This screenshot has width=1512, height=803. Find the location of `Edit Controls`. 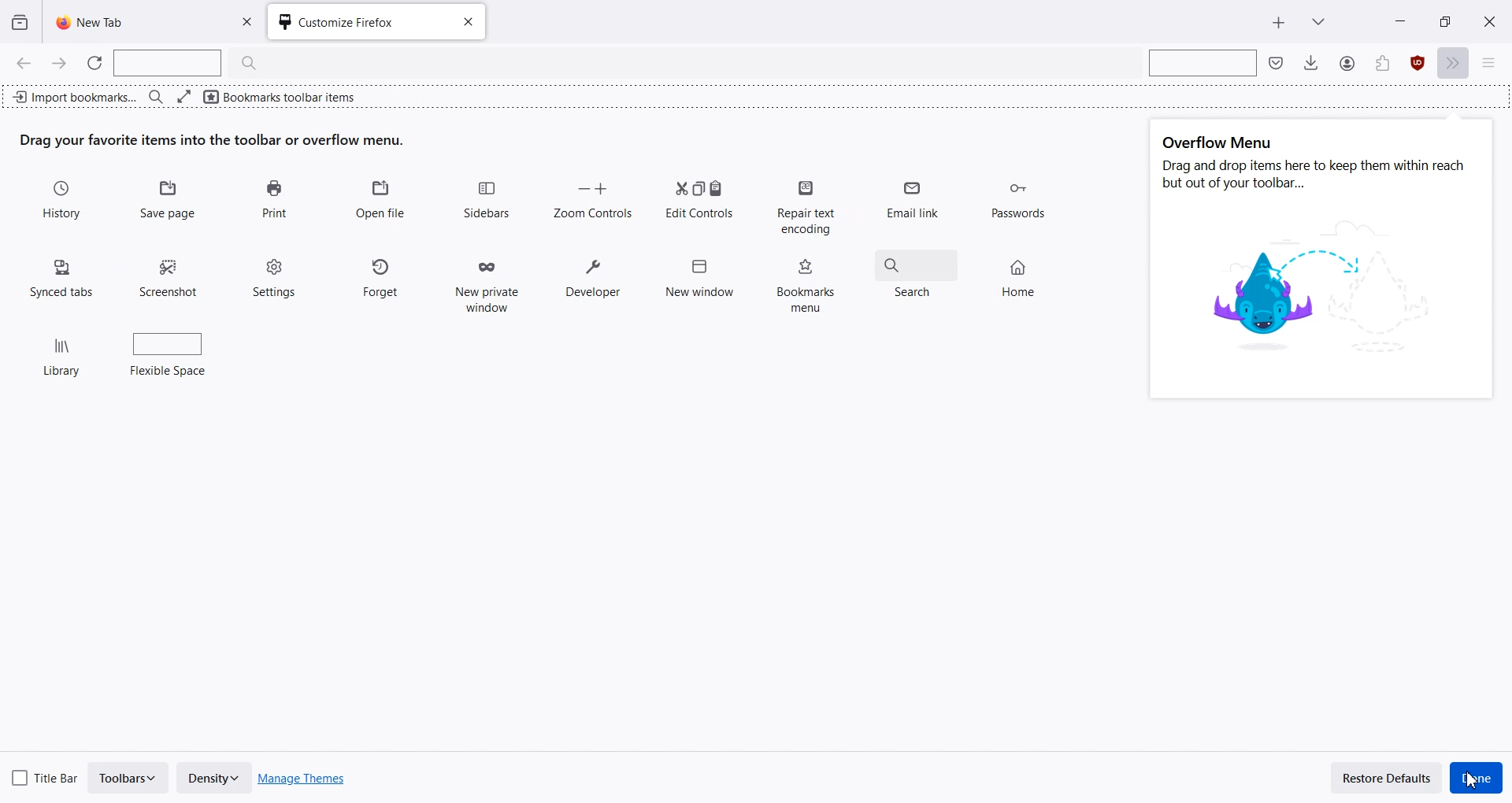

Edit Controls is located at coordinates (699, 198).